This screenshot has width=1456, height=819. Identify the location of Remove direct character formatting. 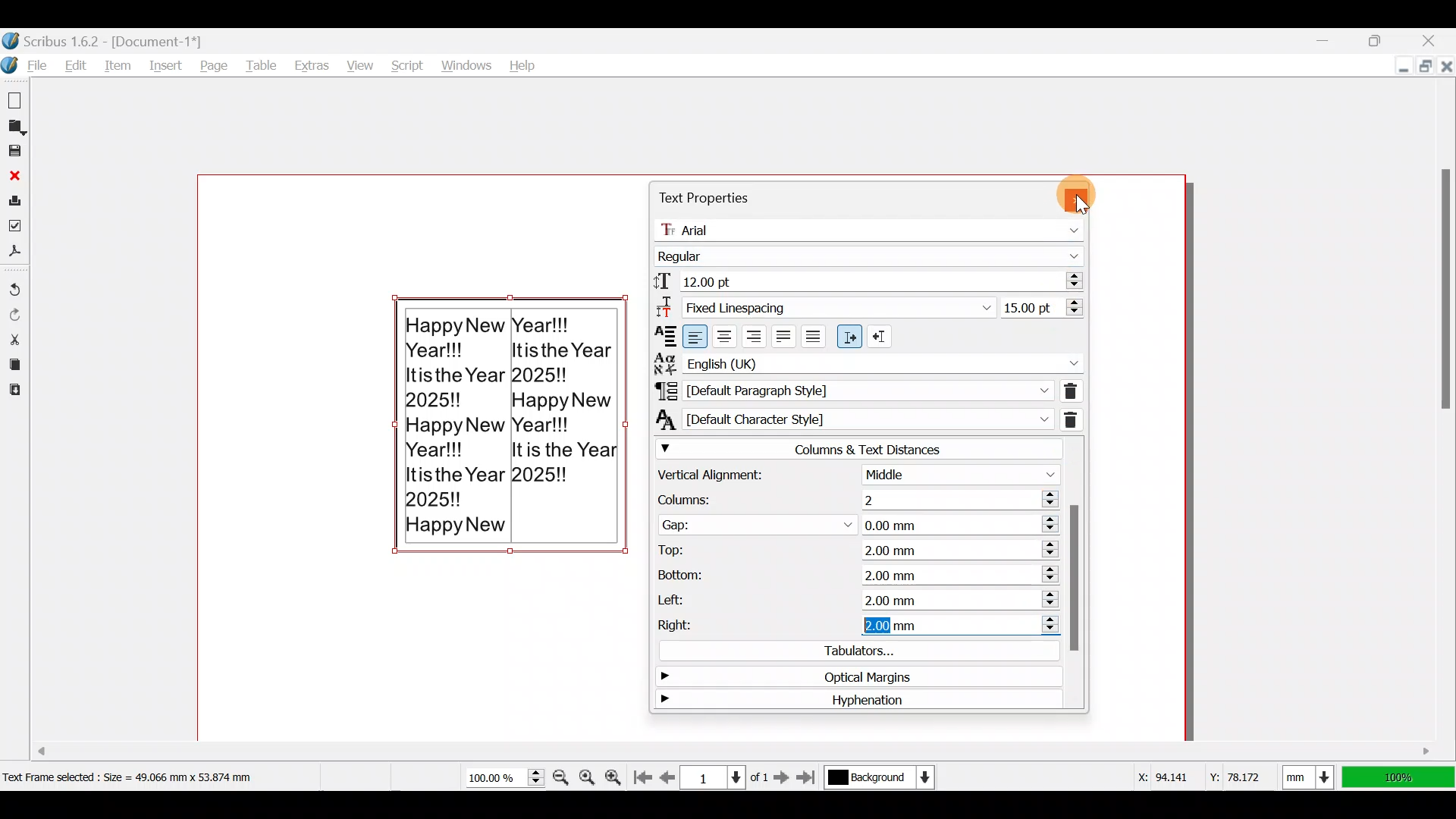
(1074, 417).